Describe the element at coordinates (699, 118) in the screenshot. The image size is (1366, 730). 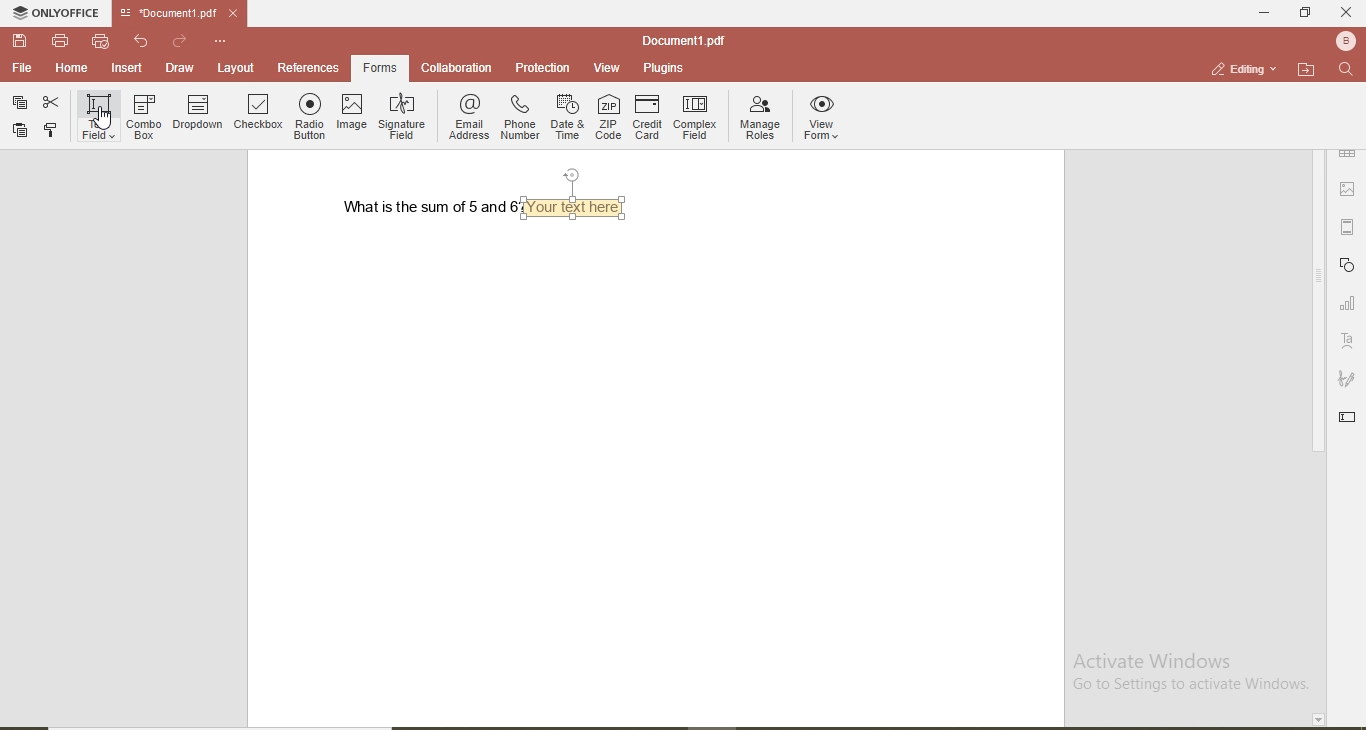
I see `complex field` at that location.